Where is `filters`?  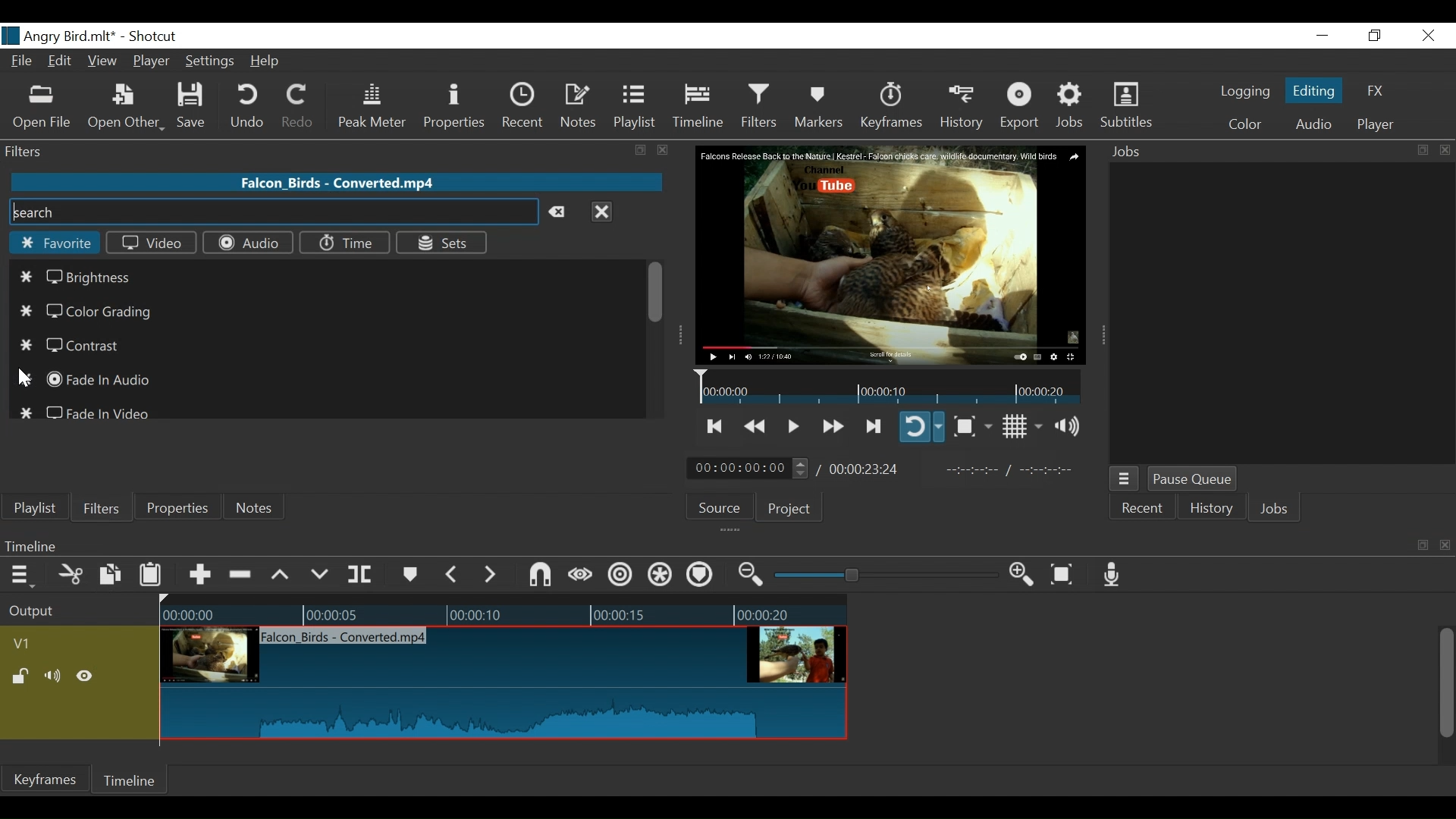
filters is located at coordinates (308, 150).